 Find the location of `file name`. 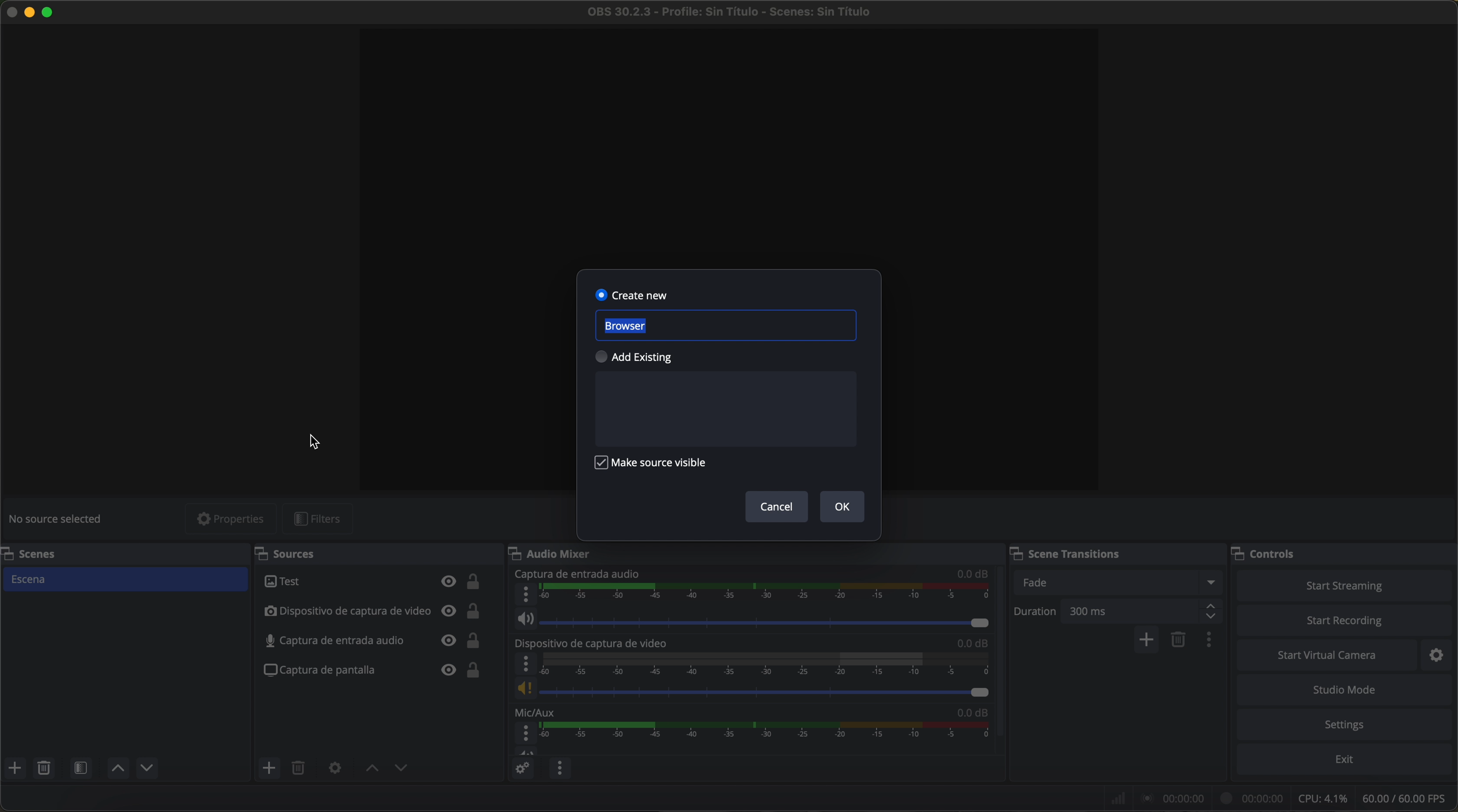

file name is located at coordinates (729, 12).